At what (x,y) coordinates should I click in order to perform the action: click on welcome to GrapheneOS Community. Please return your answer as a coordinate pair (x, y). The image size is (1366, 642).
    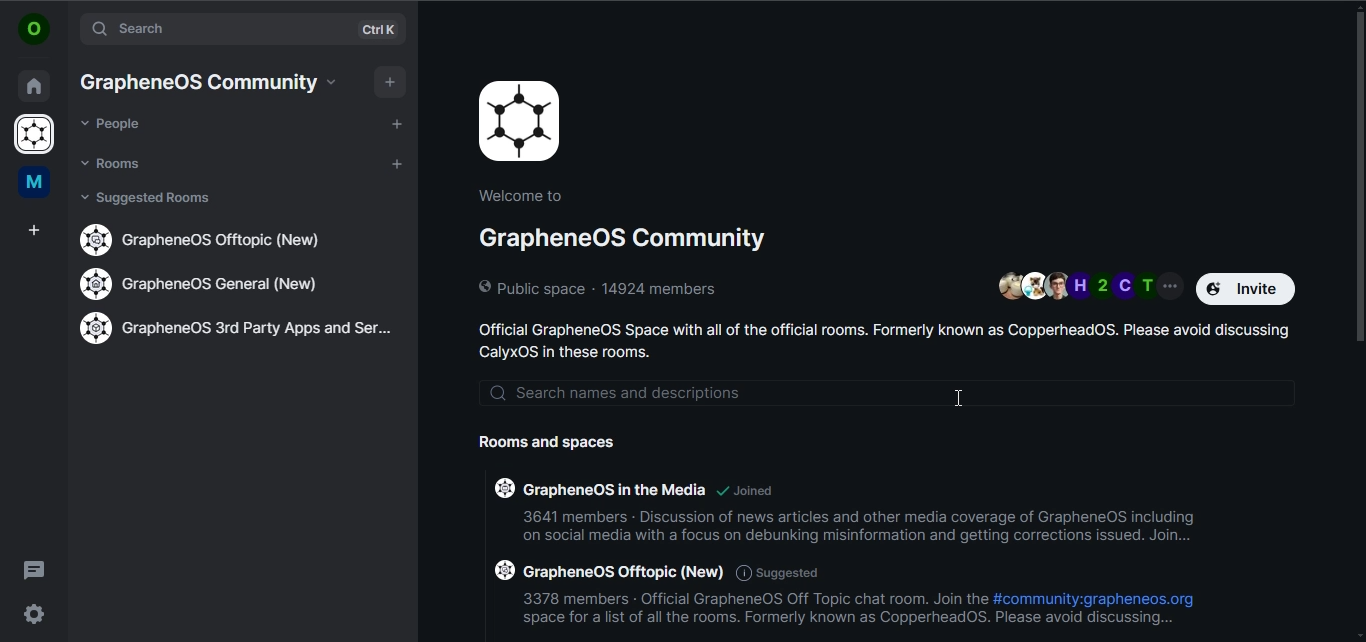
    Looking at the image, I should click on (627, 219).